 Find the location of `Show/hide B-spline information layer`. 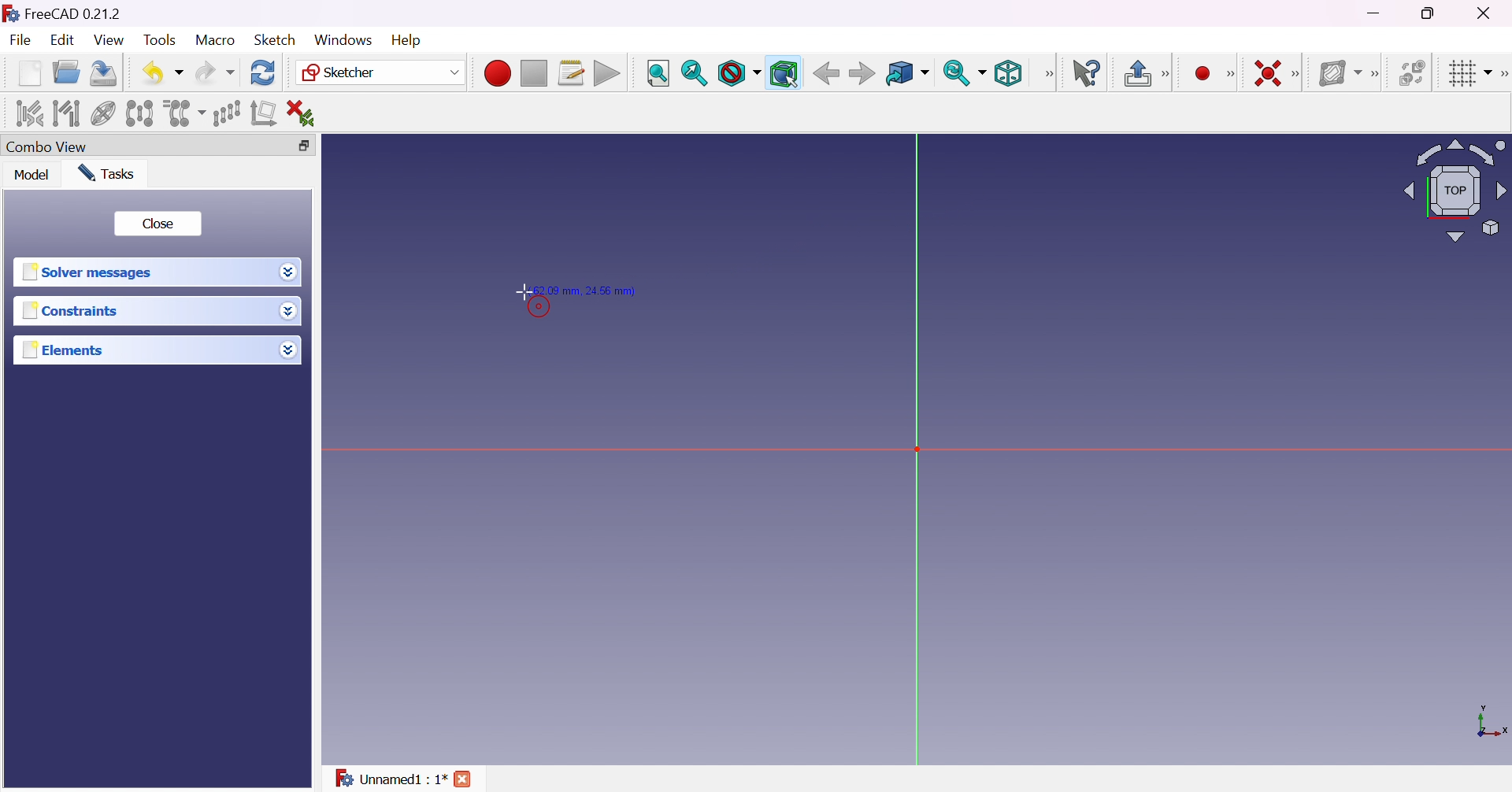

Show/hide B-spline information layer is located at coordinates (1340, 72).